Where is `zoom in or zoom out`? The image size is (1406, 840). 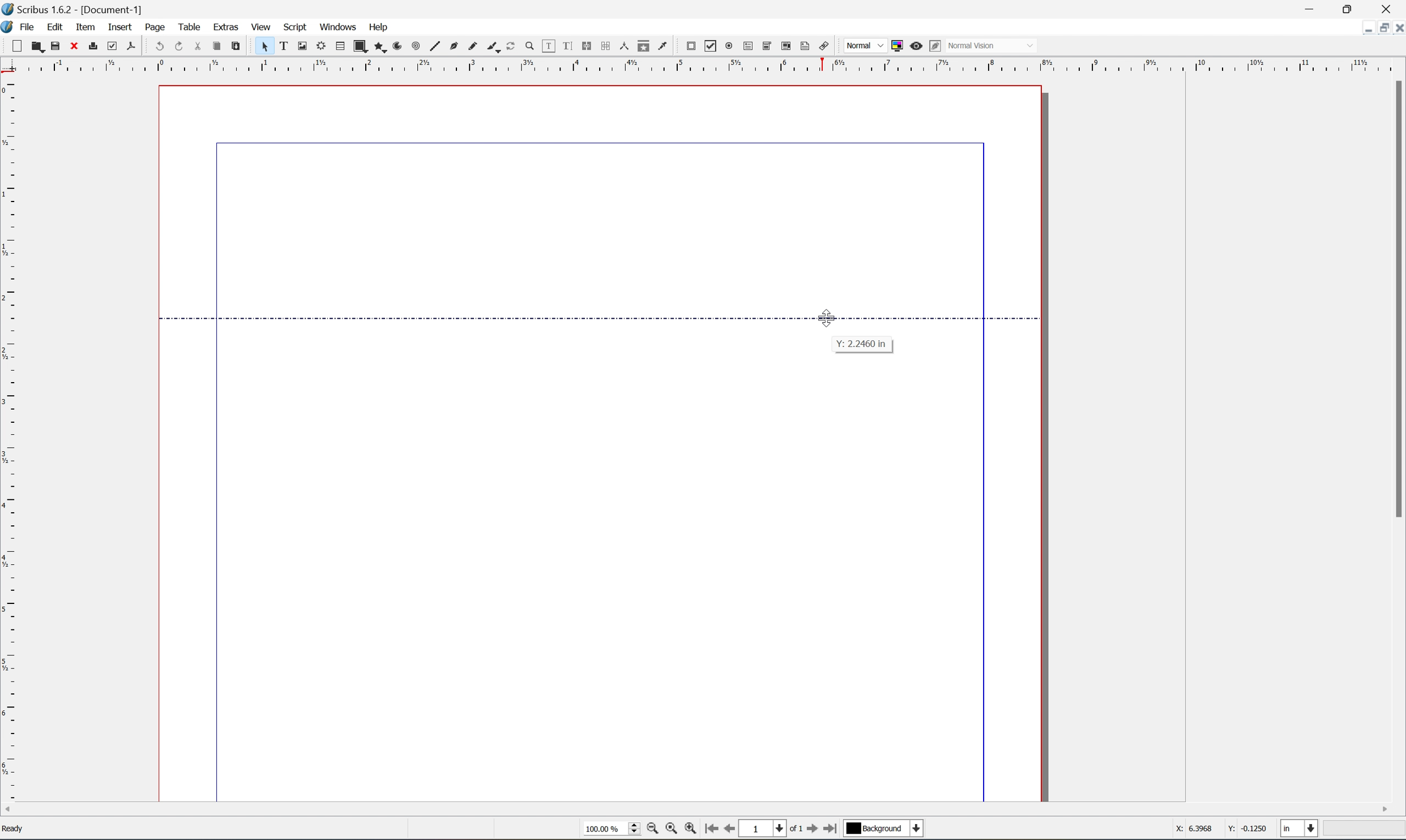
zoom in or zoom out is located at coordinates (530, 47).